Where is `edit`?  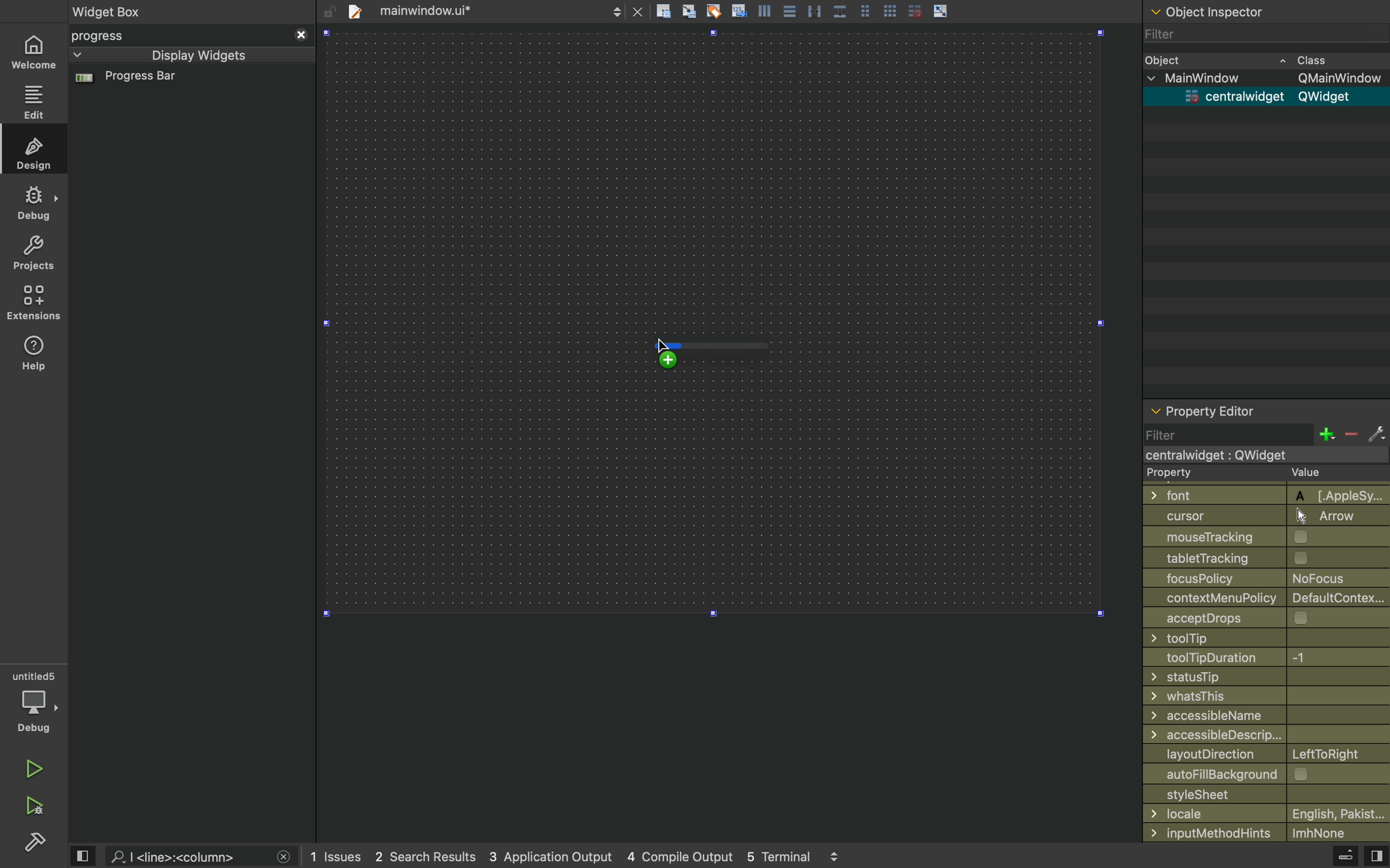 edit is located at coordinates (36, 152).